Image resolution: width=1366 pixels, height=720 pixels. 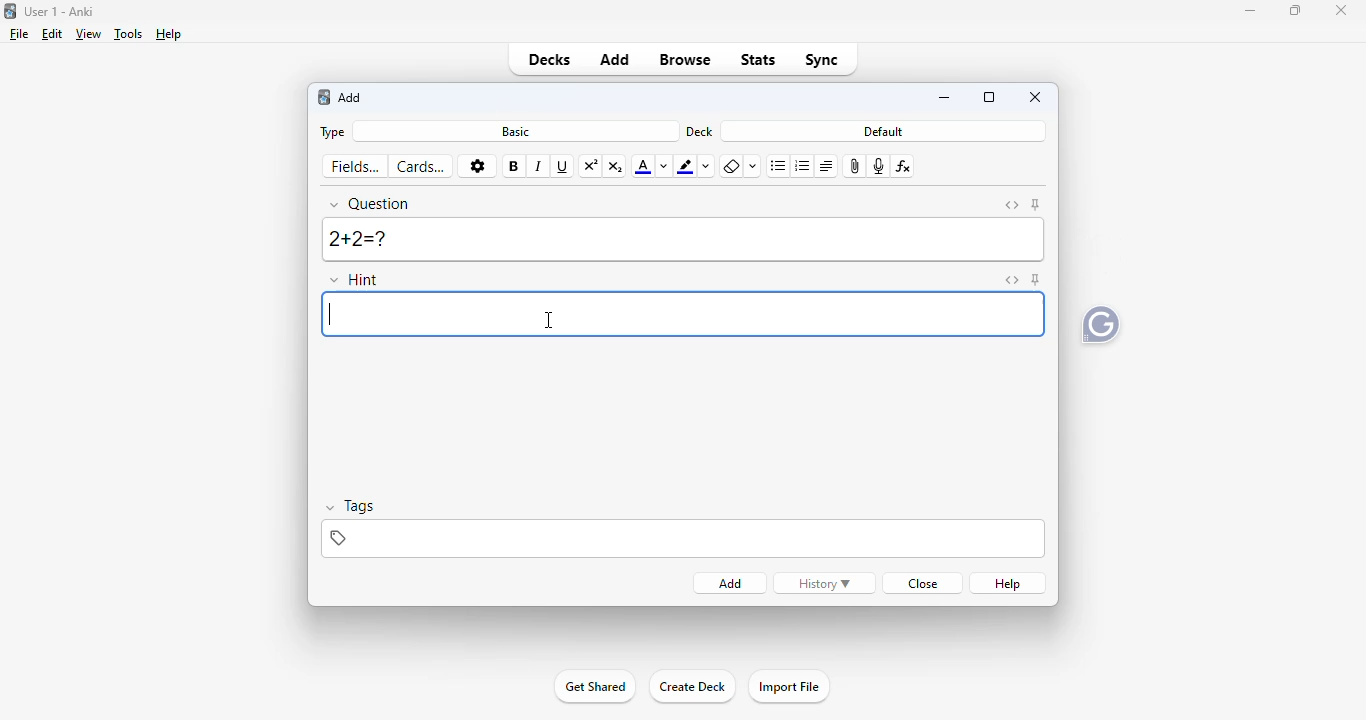 I want to click on tags, so click(x=683, y=539).